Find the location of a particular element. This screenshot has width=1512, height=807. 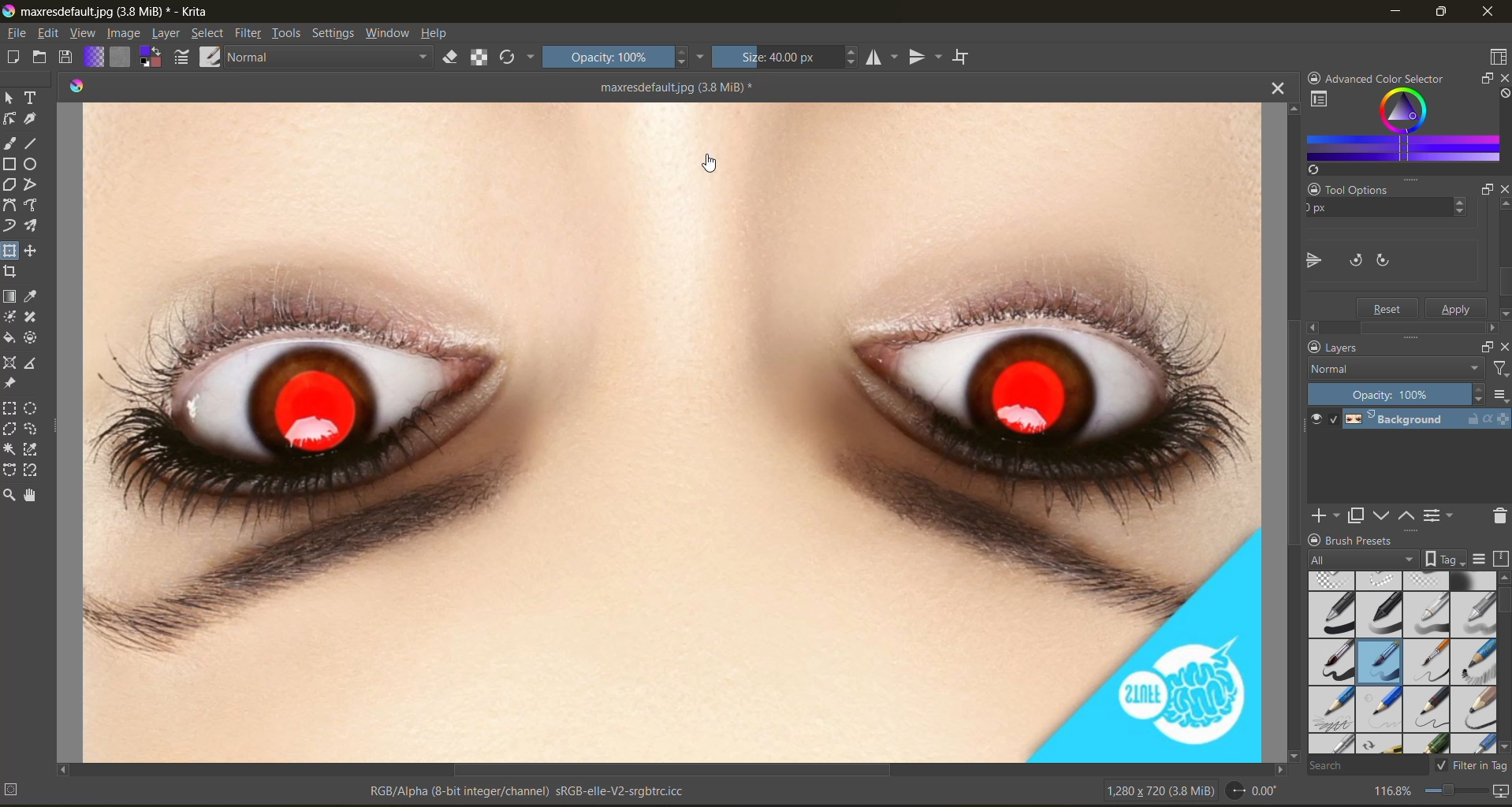

apply is located at coordinates (1458, 307).